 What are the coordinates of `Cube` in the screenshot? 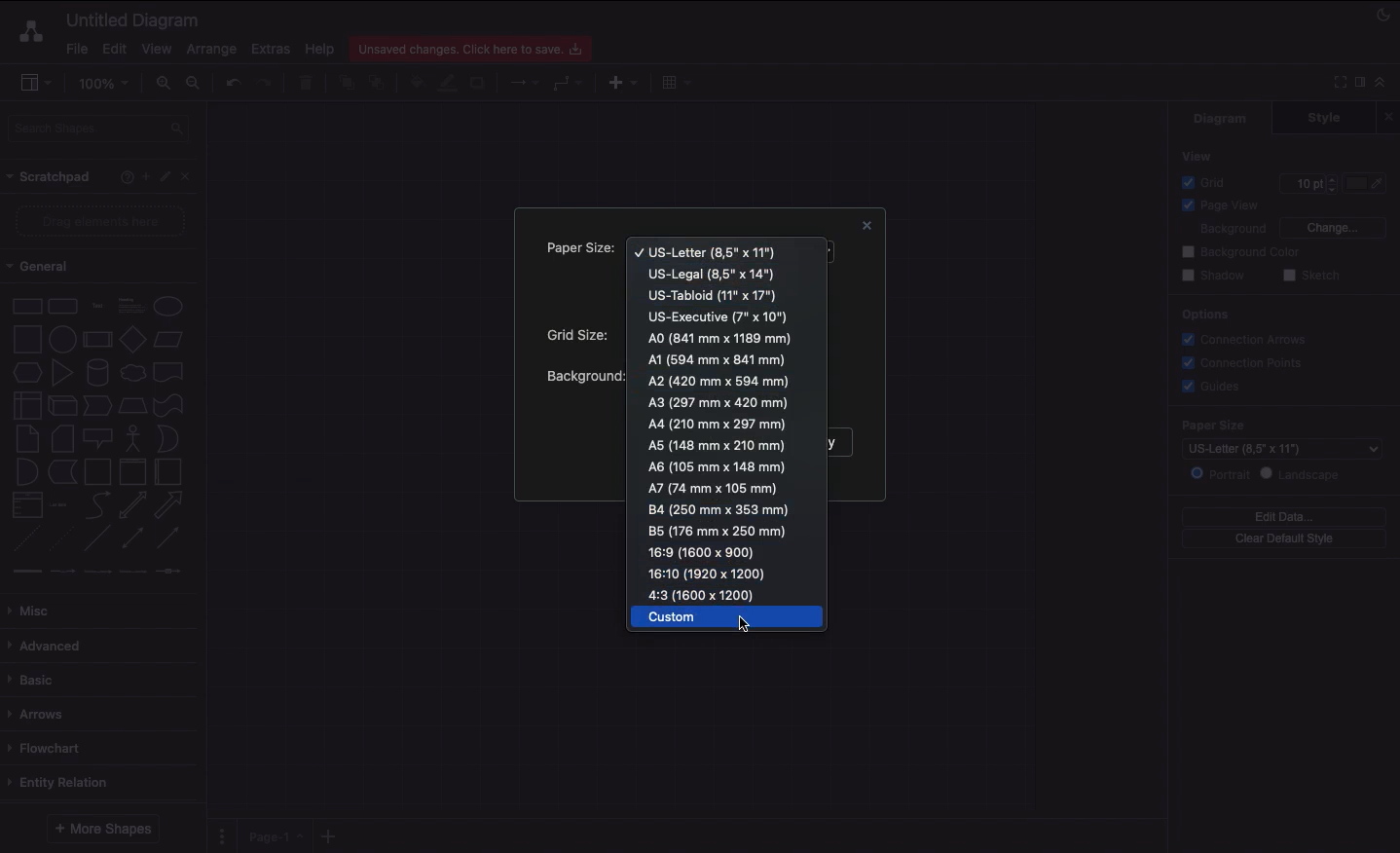 It's located at (62, 406).